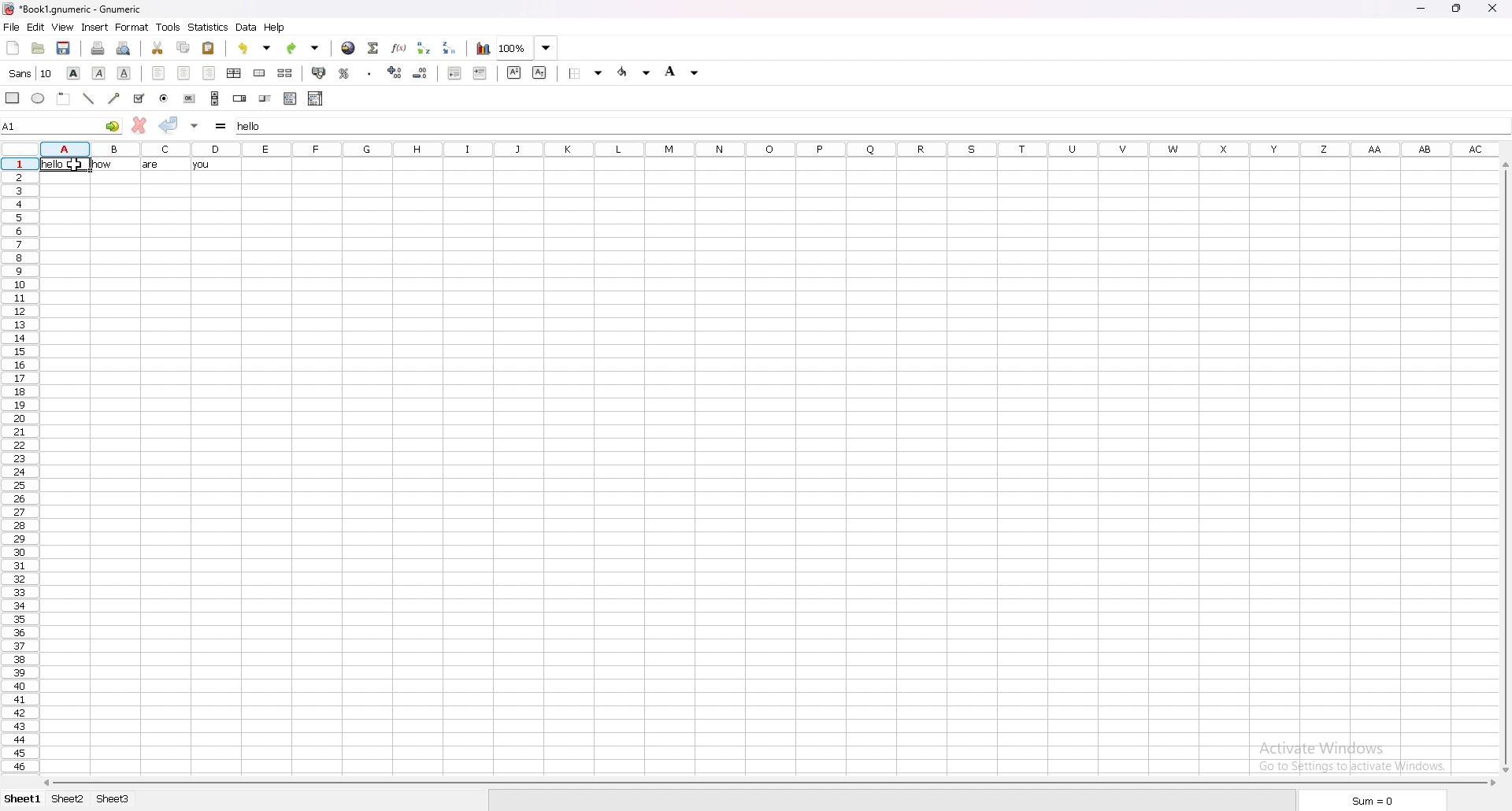 The width and height of the screenshot is (1512, 811). Describe the element at coordinates (1494, 9) in the screenshot. I see `close` at that location.